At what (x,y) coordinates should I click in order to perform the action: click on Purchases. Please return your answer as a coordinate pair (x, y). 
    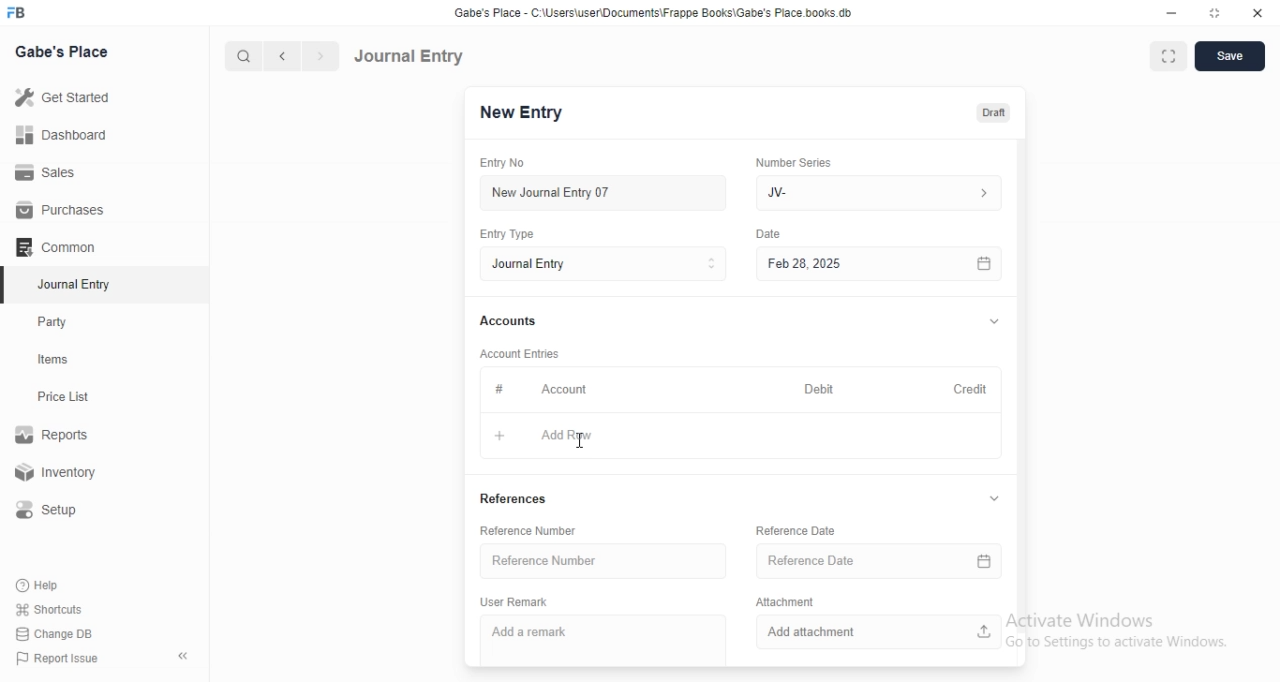
    Looking at the image, I should click on (61, 210).